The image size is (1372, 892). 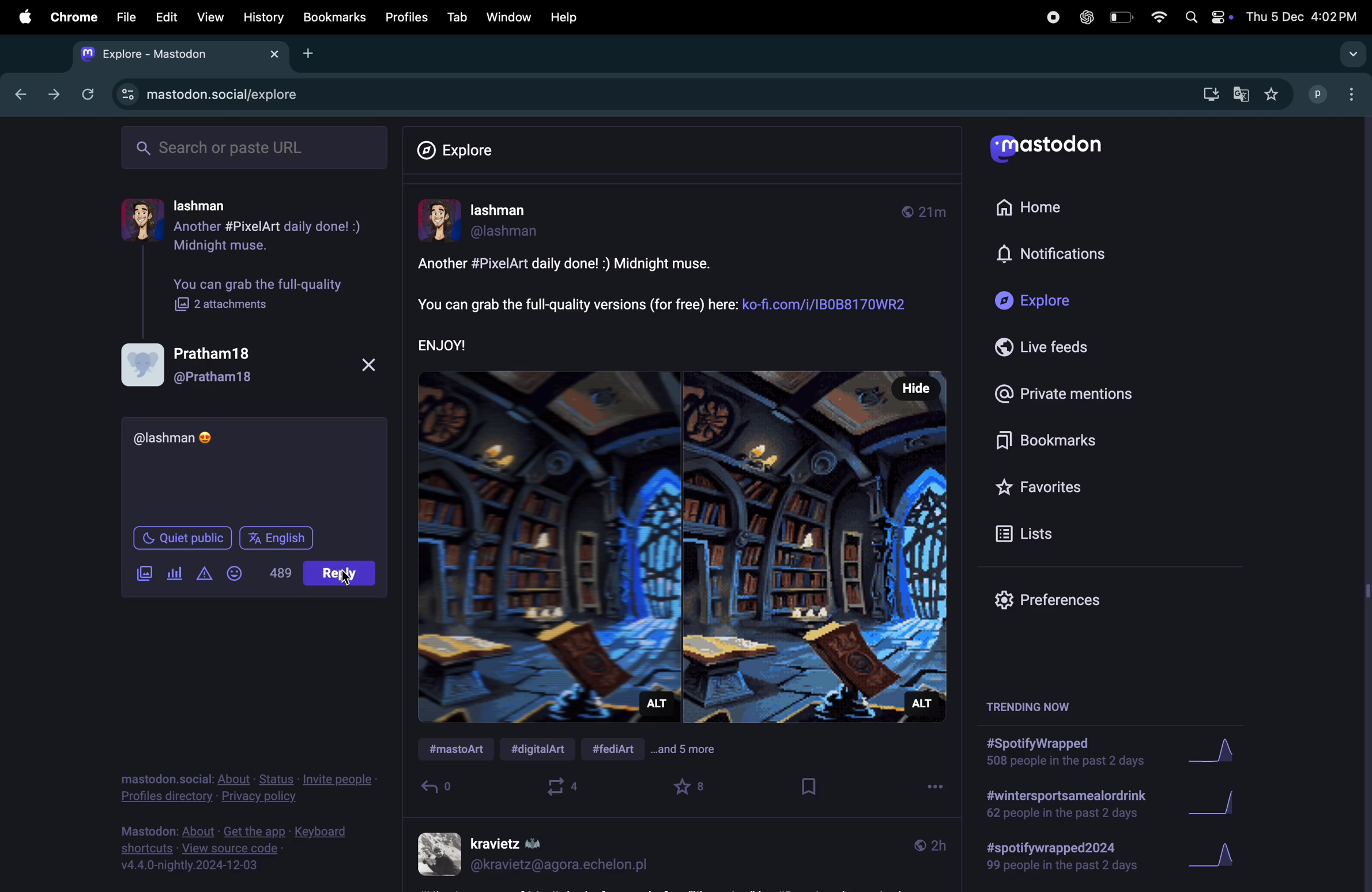 What do you see at coordinates (1069, 861) in the screenshot?
I see `spotify wrapped` at bounding box center [1069, 861].